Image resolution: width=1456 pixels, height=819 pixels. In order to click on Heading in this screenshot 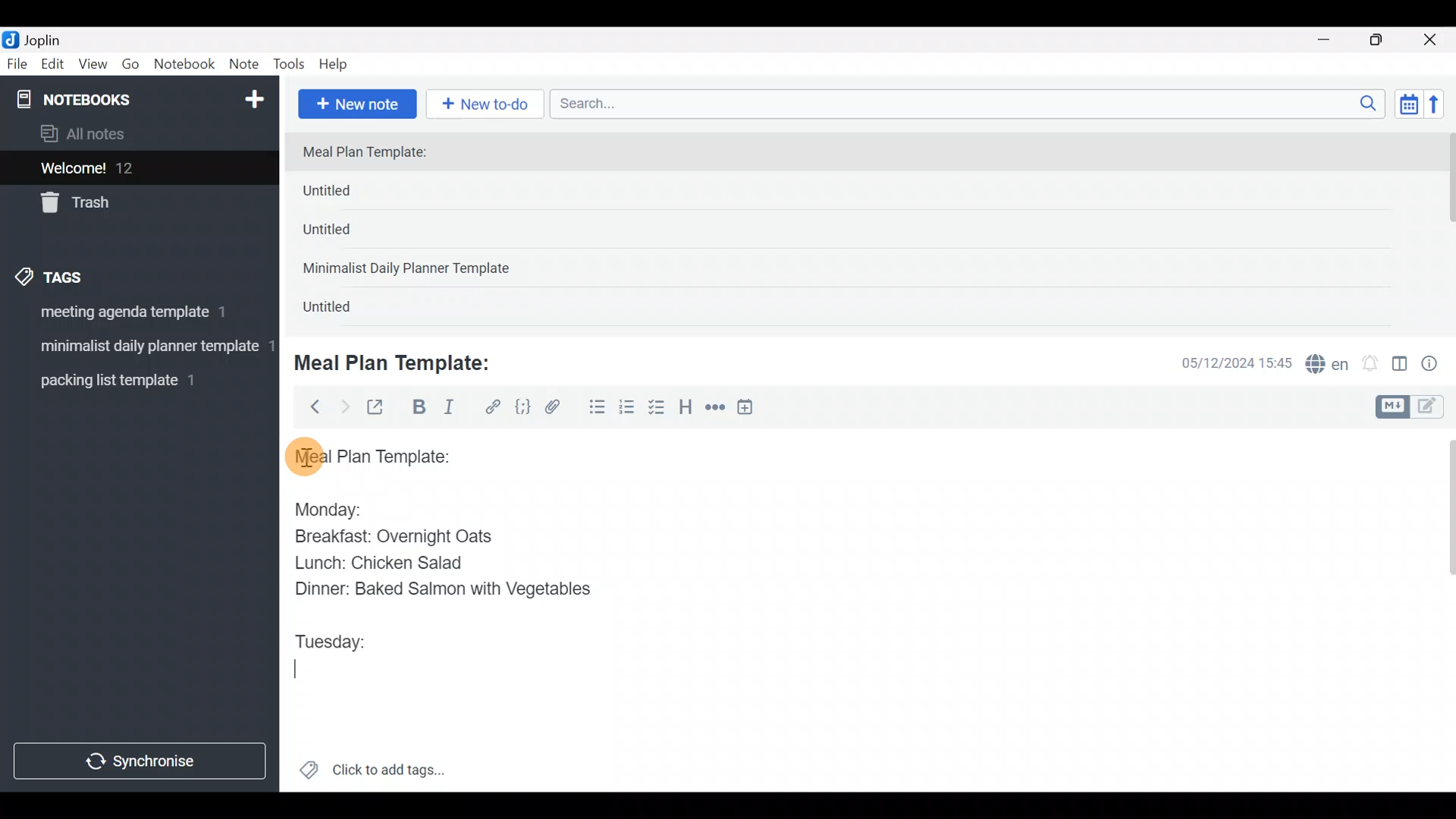, I will do `click(686, 409)`.